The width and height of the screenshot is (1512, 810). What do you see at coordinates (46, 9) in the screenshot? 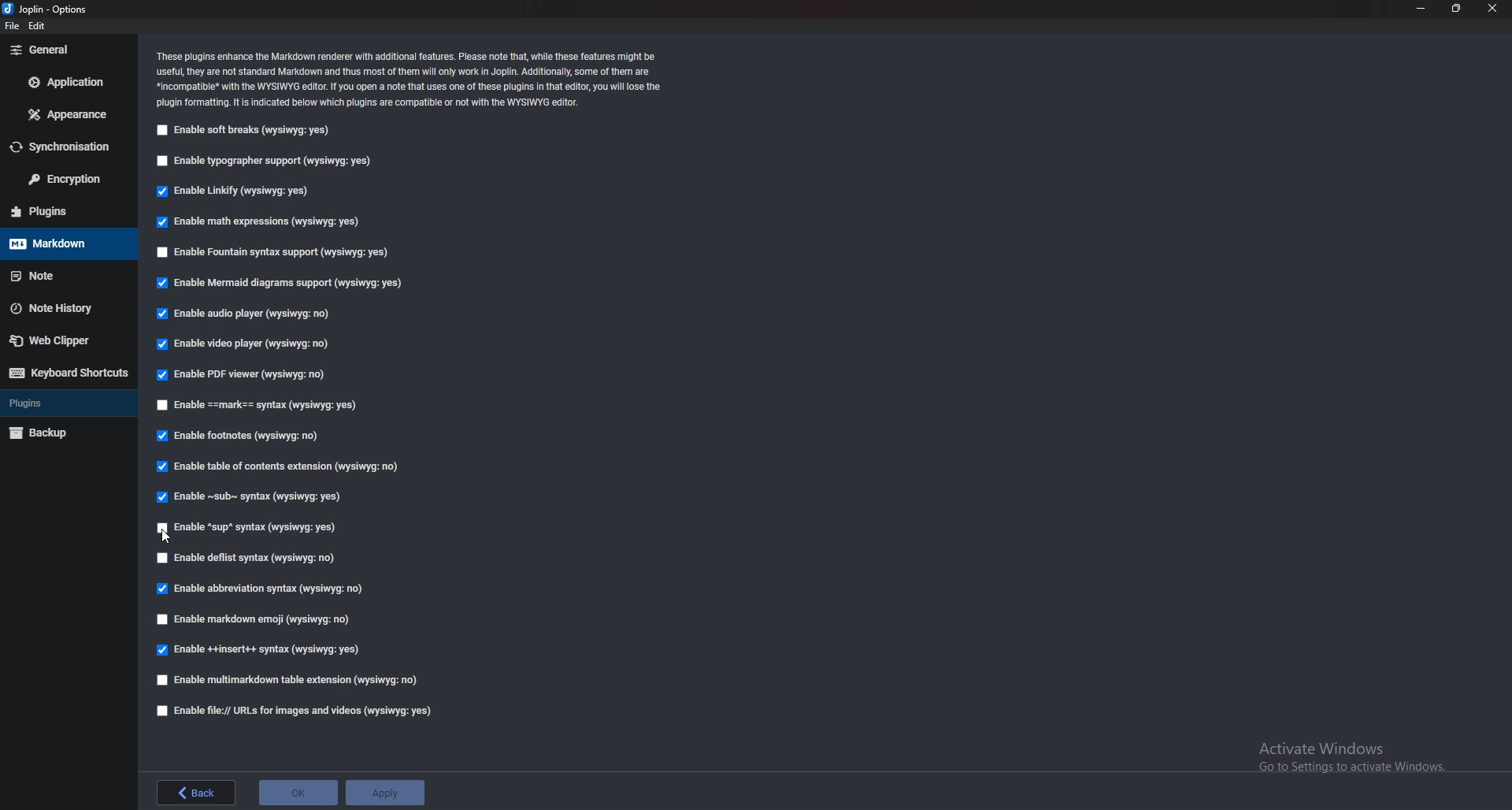
I see `options` at bounding box center [46, 9].